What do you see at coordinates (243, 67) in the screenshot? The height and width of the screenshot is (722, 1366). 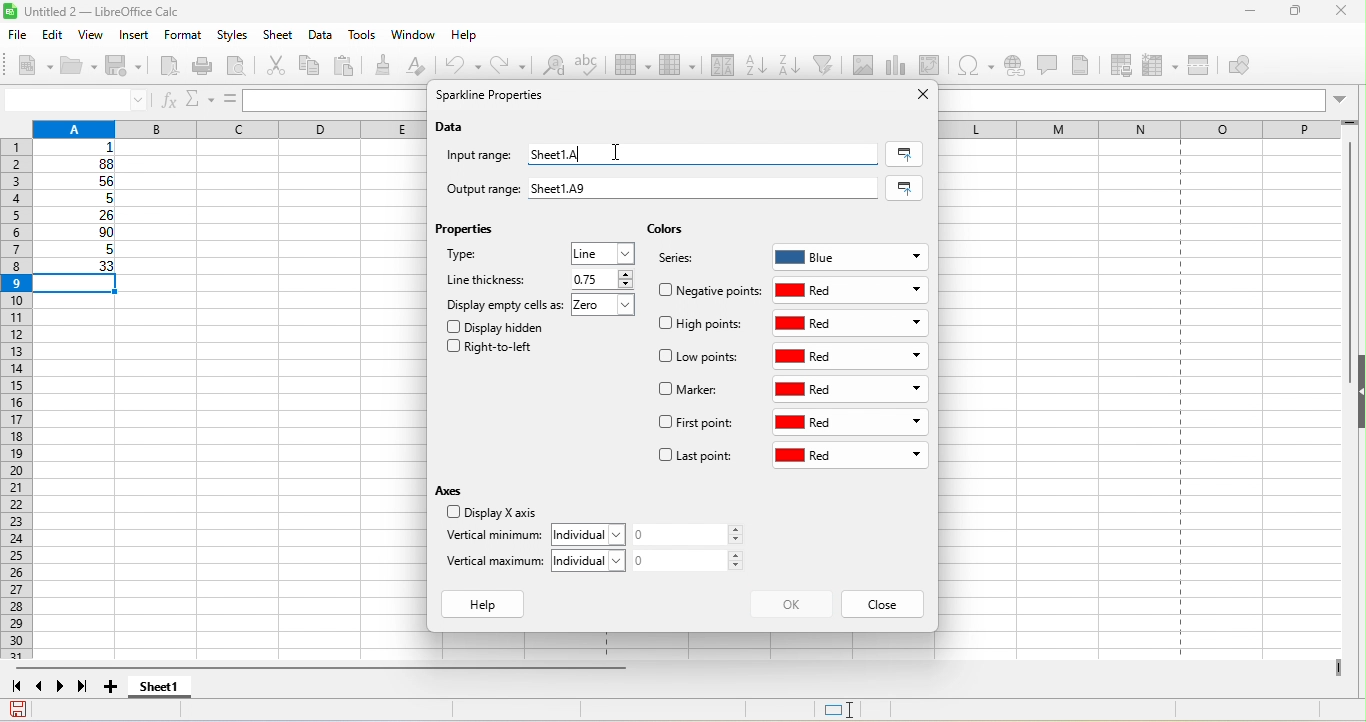 I see `print preview` at bounding box center [243, 67].